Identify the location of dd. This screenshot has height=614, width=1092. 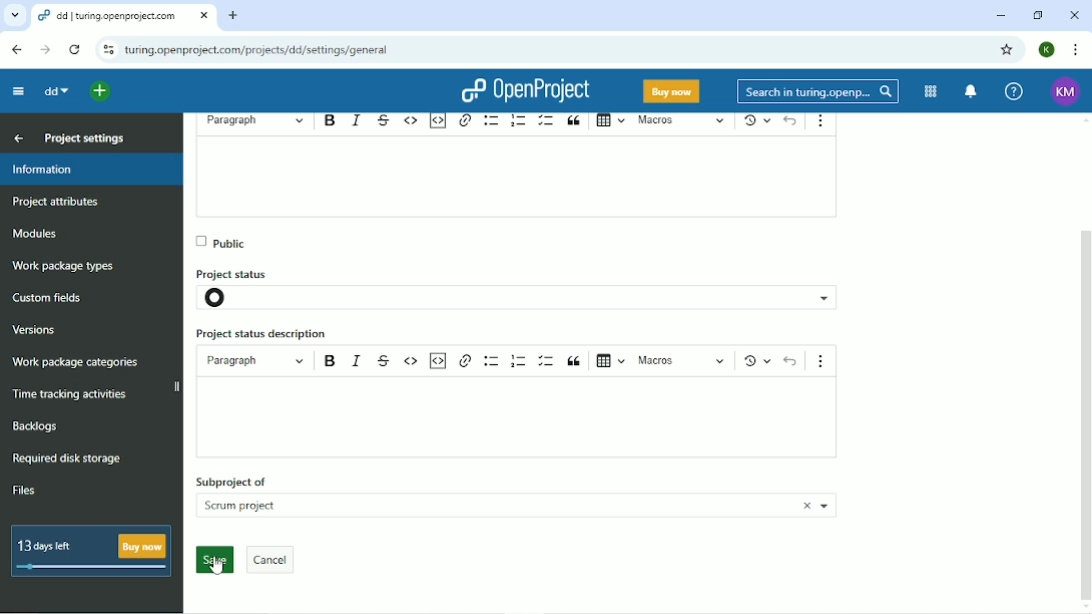
(55, 91).